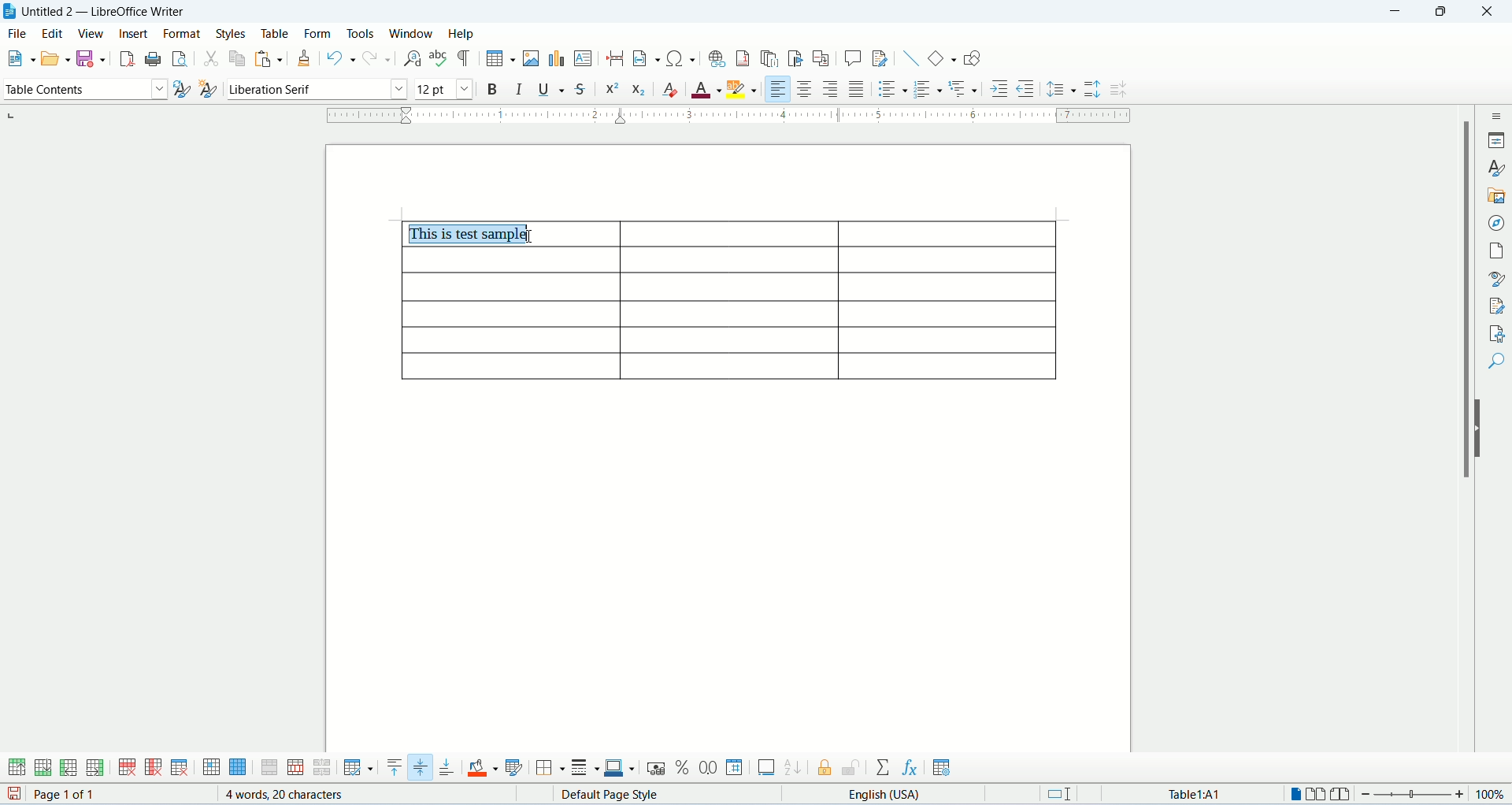 The height and width of the screenshot is (805, 1512). What do you see at coordinates (91, 34) in the screenshot?
I see `view` at bounding box center [91, 34].